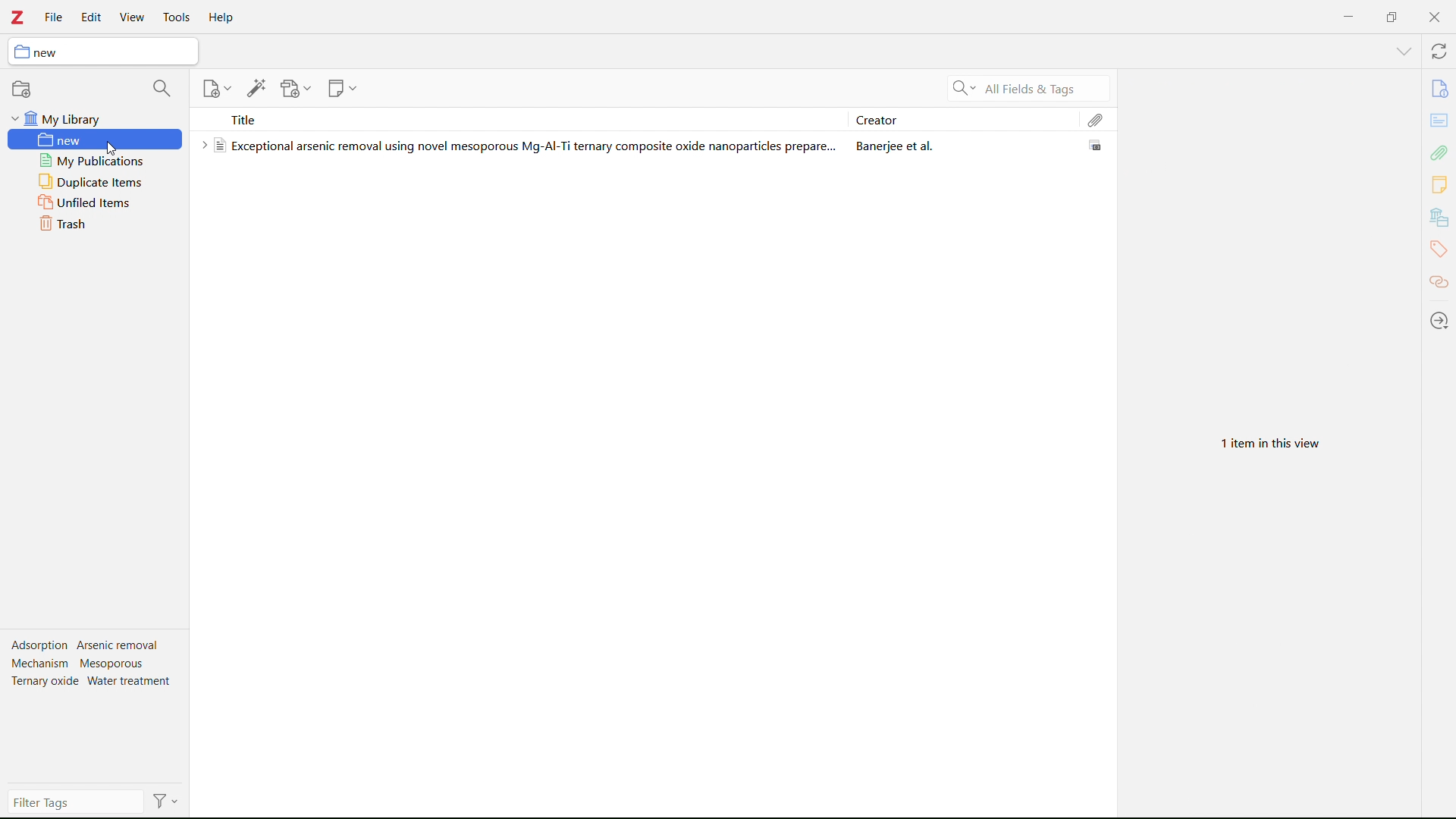  Describe the element at coordinates (1439, 322) in the screenshot. I see `locate` at that location.